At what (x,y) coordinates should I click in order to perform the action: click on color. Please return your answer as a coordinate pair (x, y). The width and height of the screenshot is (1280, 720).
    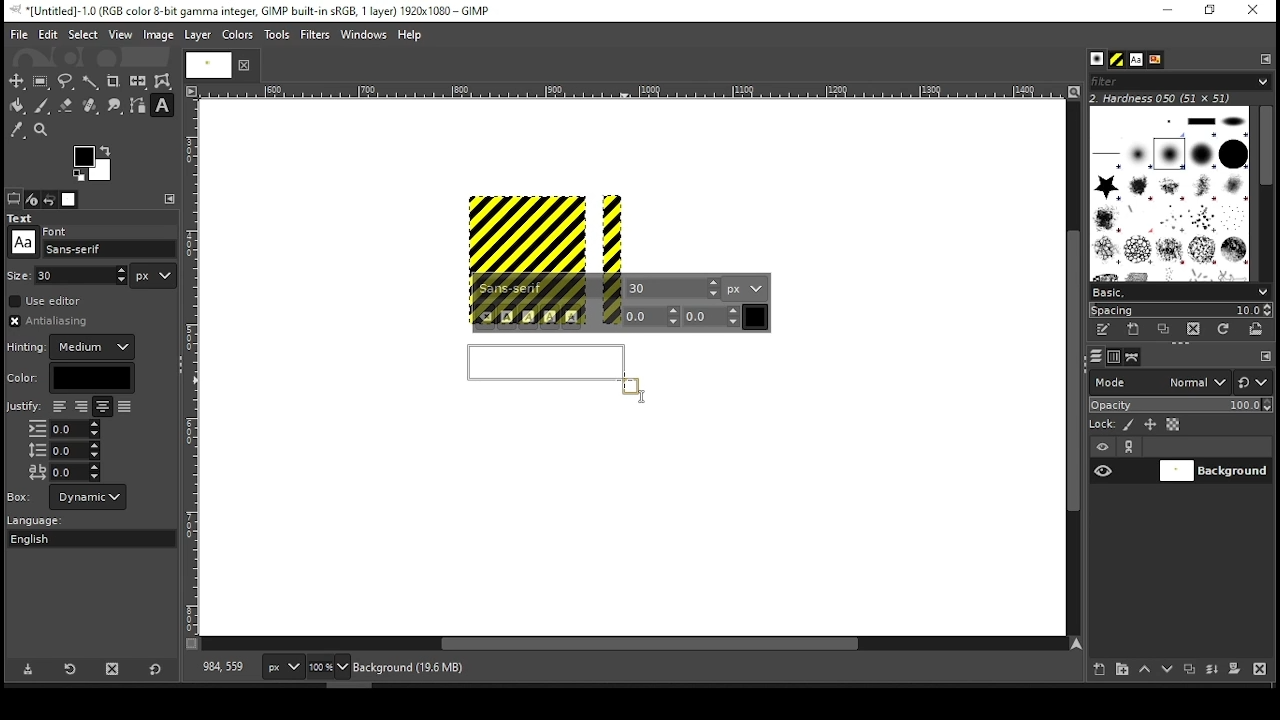
    Looking at the image, I should click on (70, 378).